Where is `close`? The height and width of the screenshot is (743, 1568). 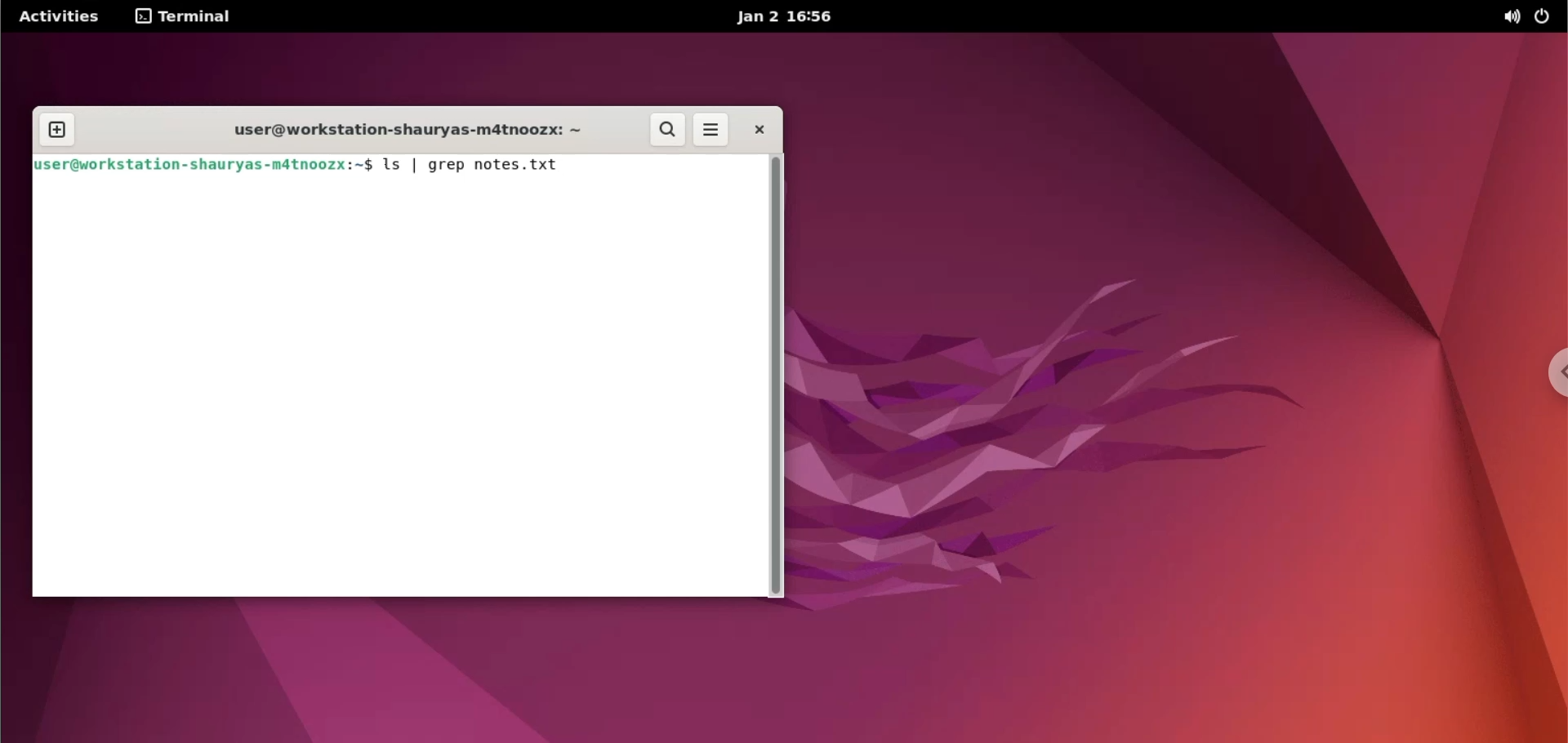 close is located at coordinates (753, 131).